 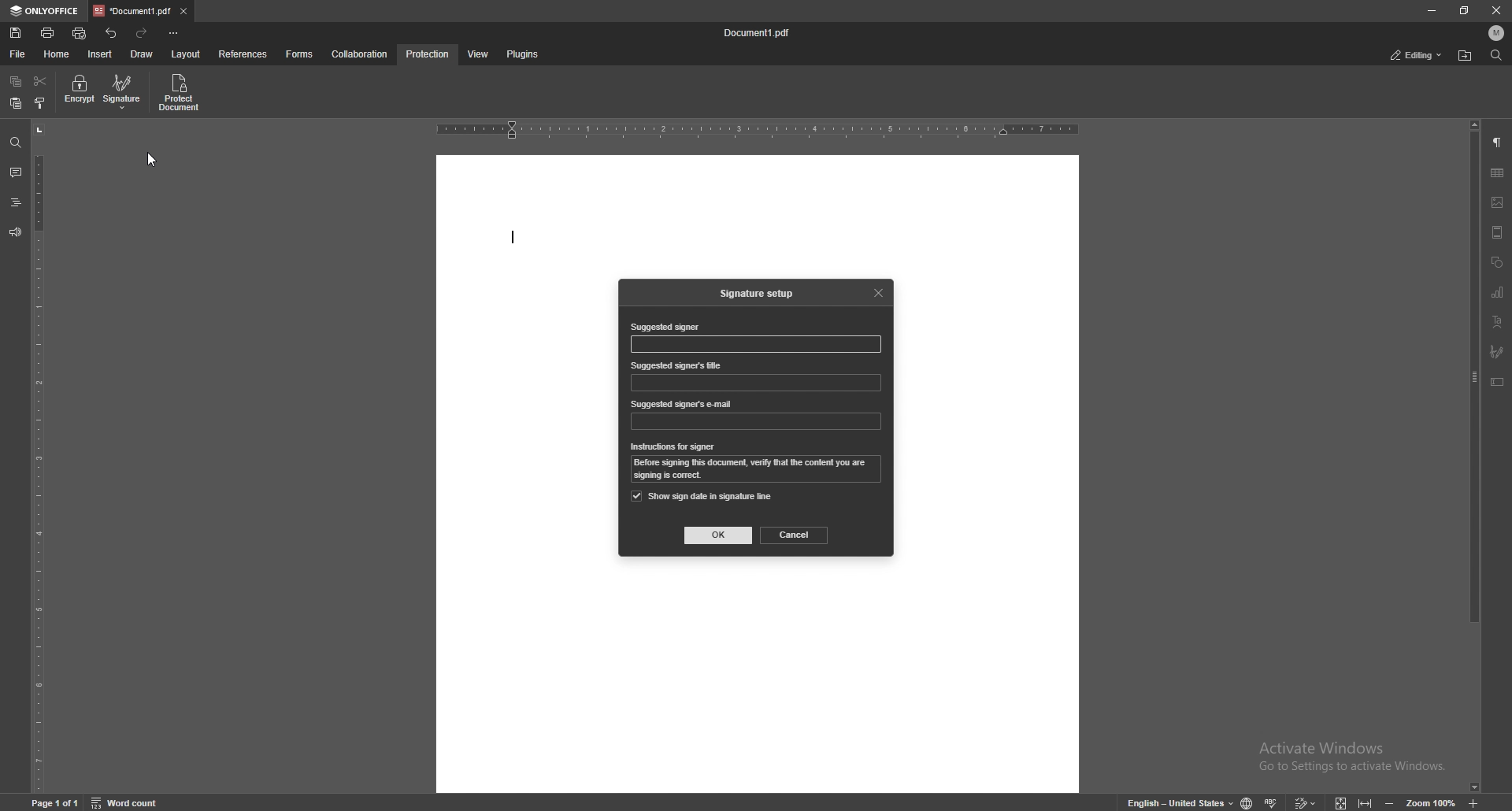 What do you see at coordinates (683, 405) in the screenshot?
I see `suggested signer's email` at bounding box center [683, 405].